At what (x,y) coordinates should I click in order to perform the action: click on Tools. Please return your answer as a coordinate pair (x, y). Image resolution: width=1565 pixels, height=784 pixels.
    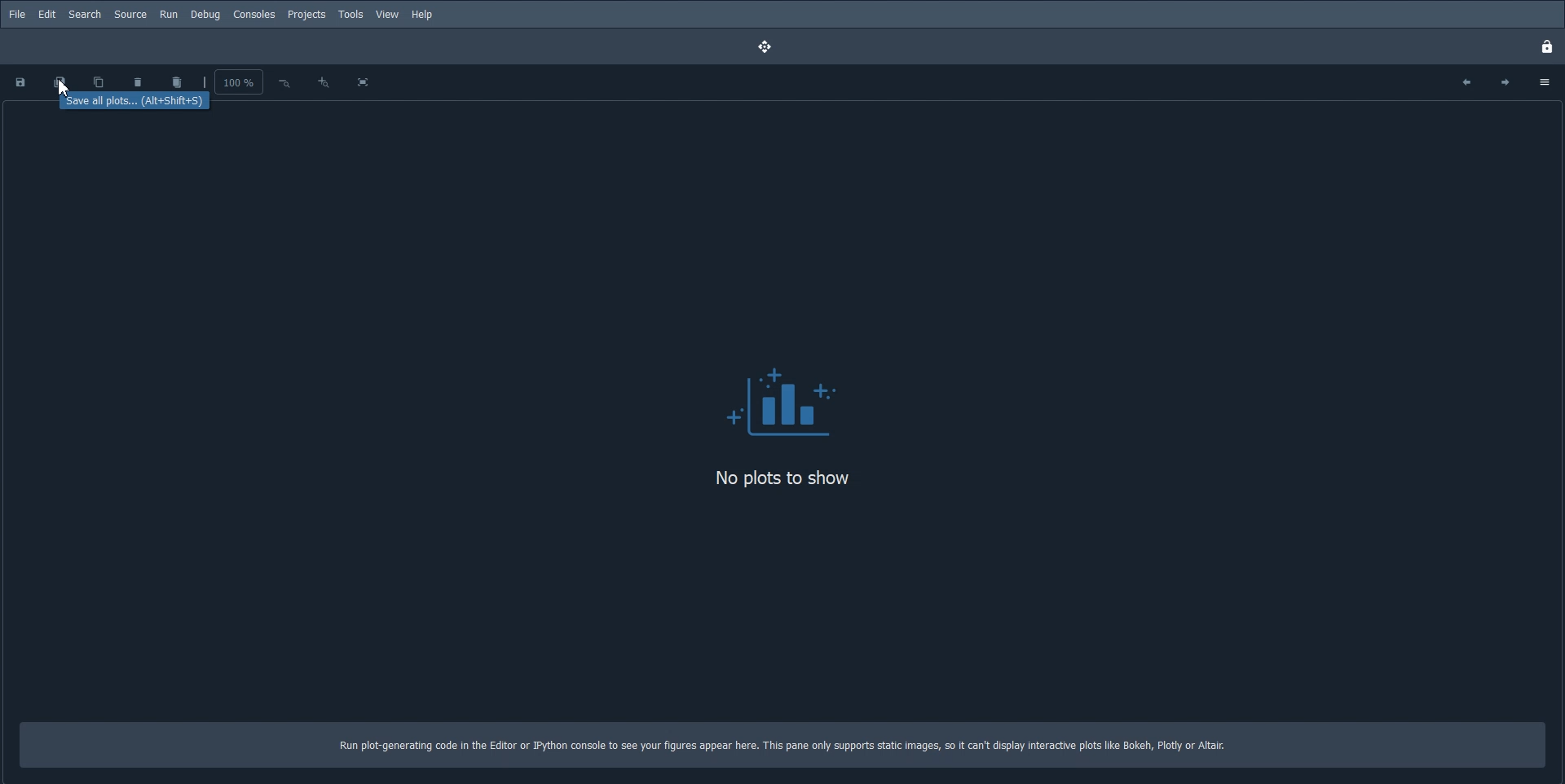
    Looking at the image, I should click on (350, 14).